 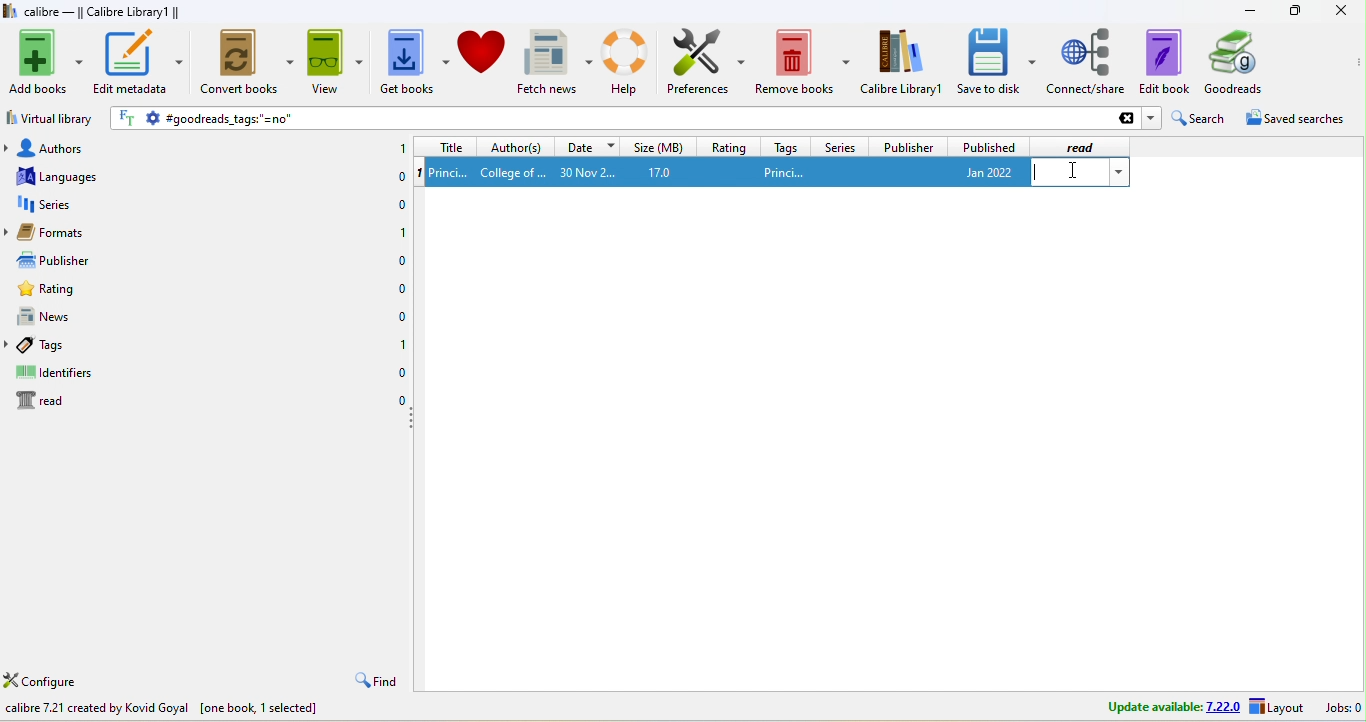 I want to click on view, so click(x=335, y=61).